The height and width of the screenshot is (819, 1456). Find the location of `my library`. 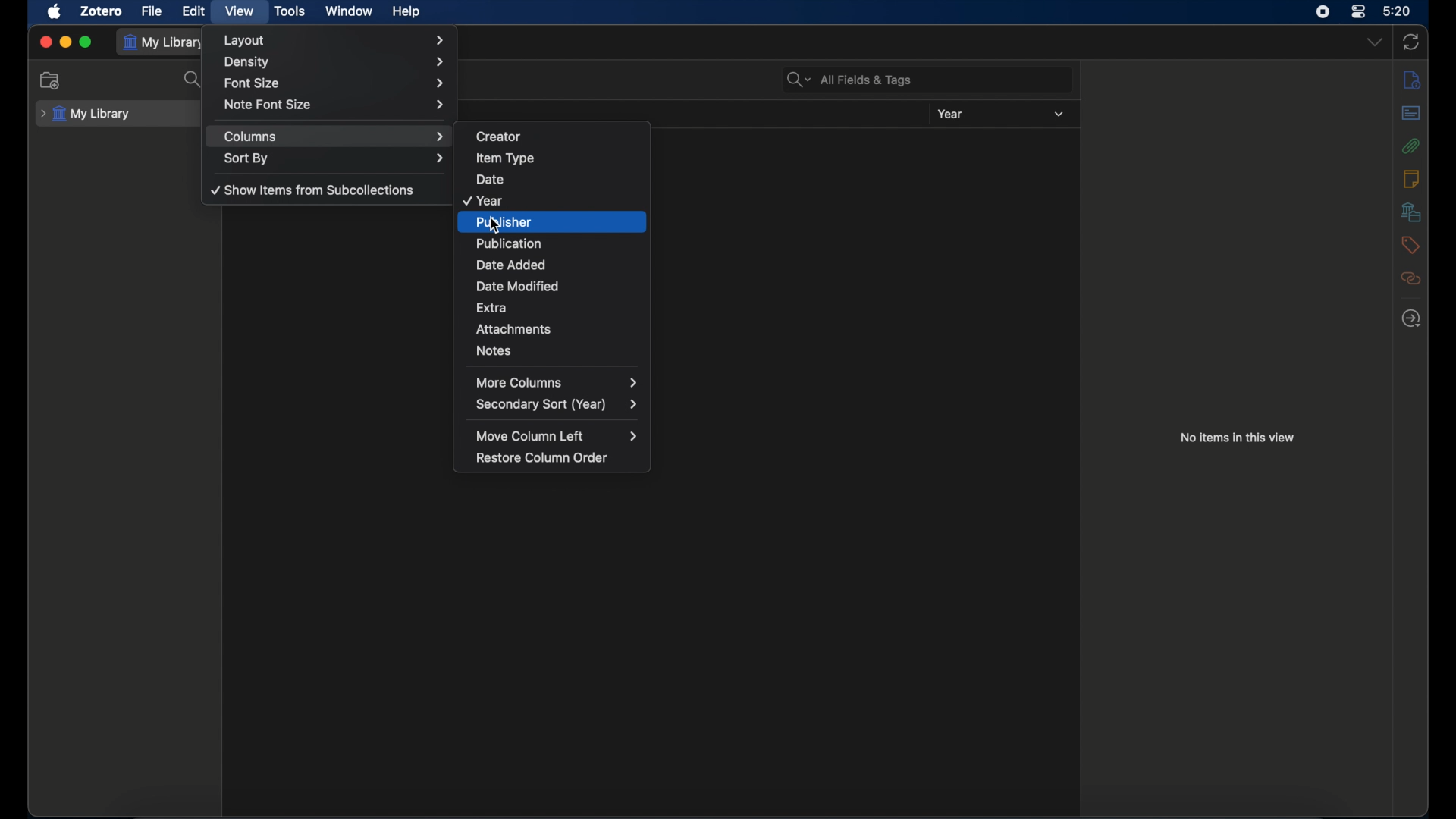

my library is located at coordinates (86, 115).